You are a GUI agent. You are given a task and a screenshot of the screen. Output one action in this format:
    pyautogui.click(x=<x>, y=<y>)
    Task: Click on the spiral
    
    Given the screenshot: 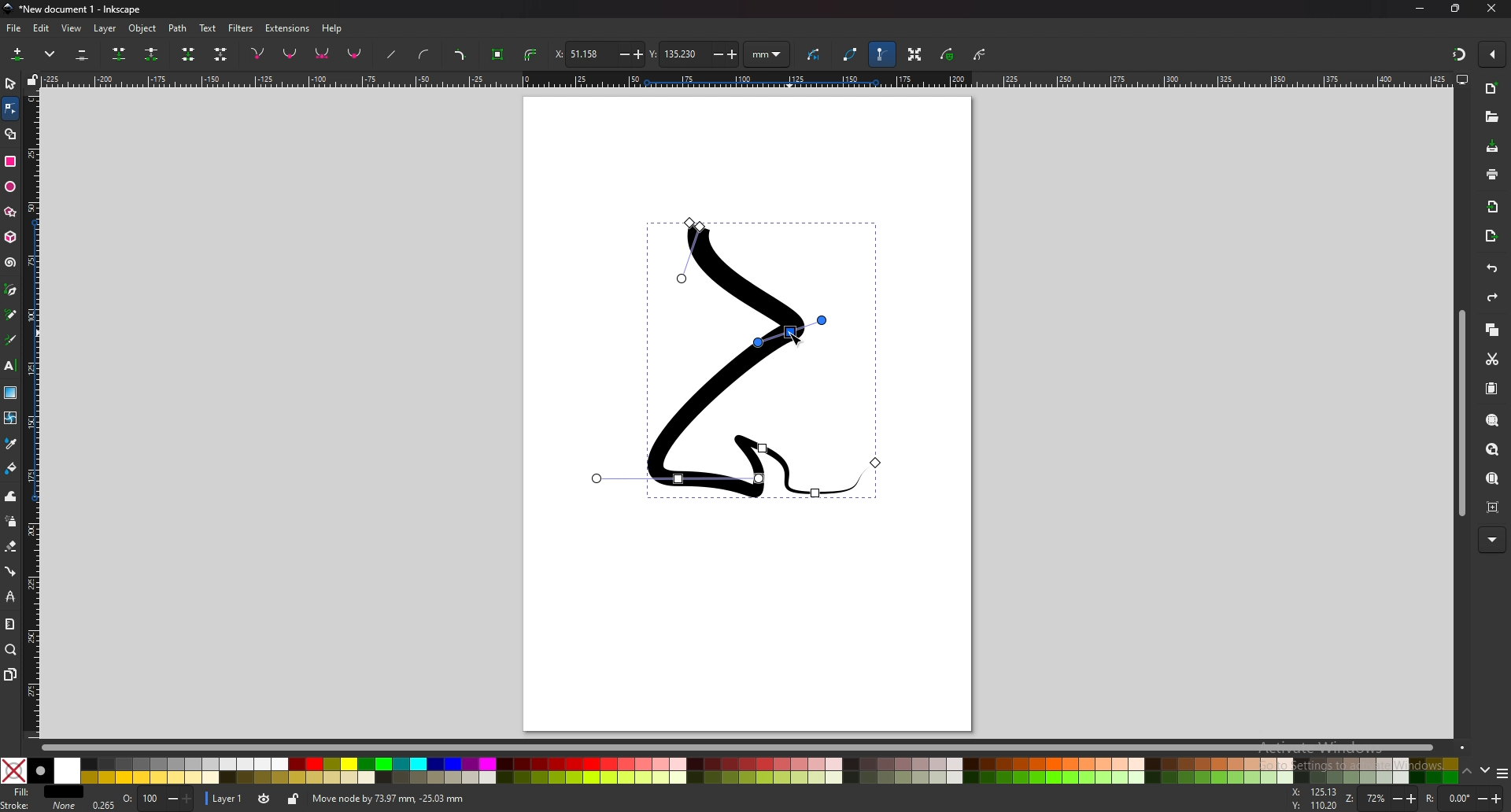 What is the action you would take?
    pyautogui.click(x=9, y=263)
    